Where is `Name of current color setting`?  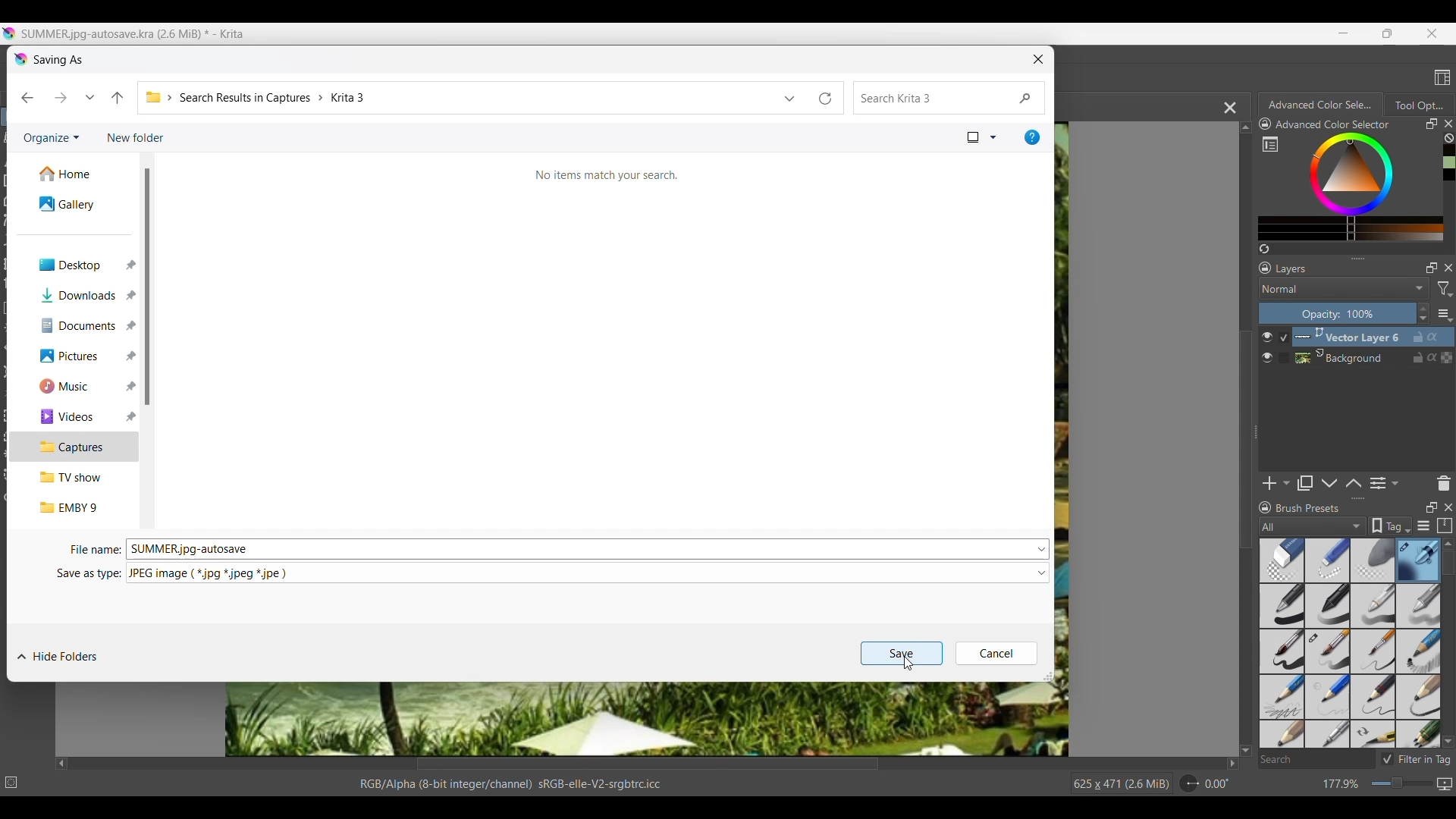 Name of current color setting is located at coordinates (1332, 124).